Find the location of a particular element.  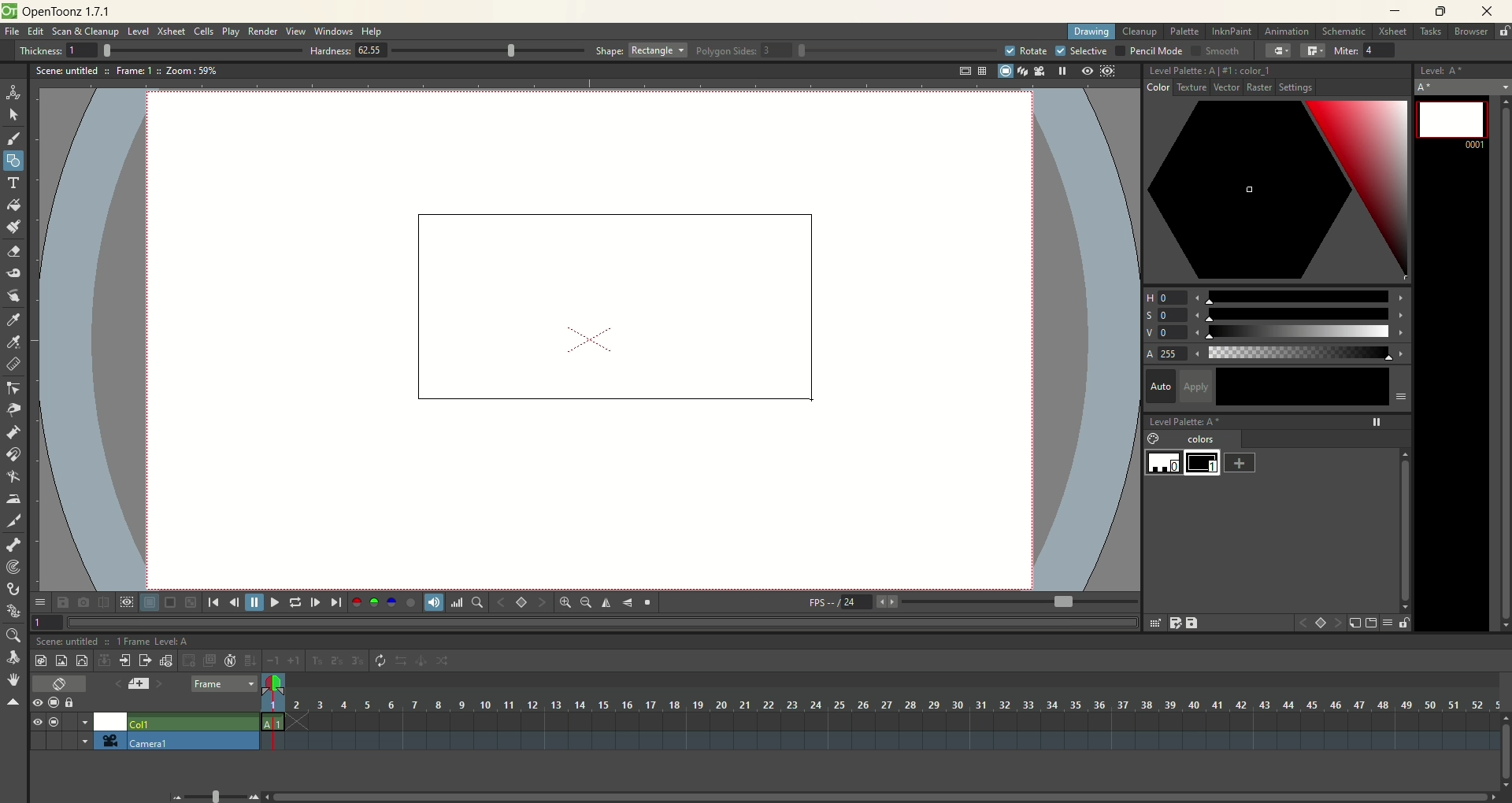

set key is located at coordinates (521, 601).